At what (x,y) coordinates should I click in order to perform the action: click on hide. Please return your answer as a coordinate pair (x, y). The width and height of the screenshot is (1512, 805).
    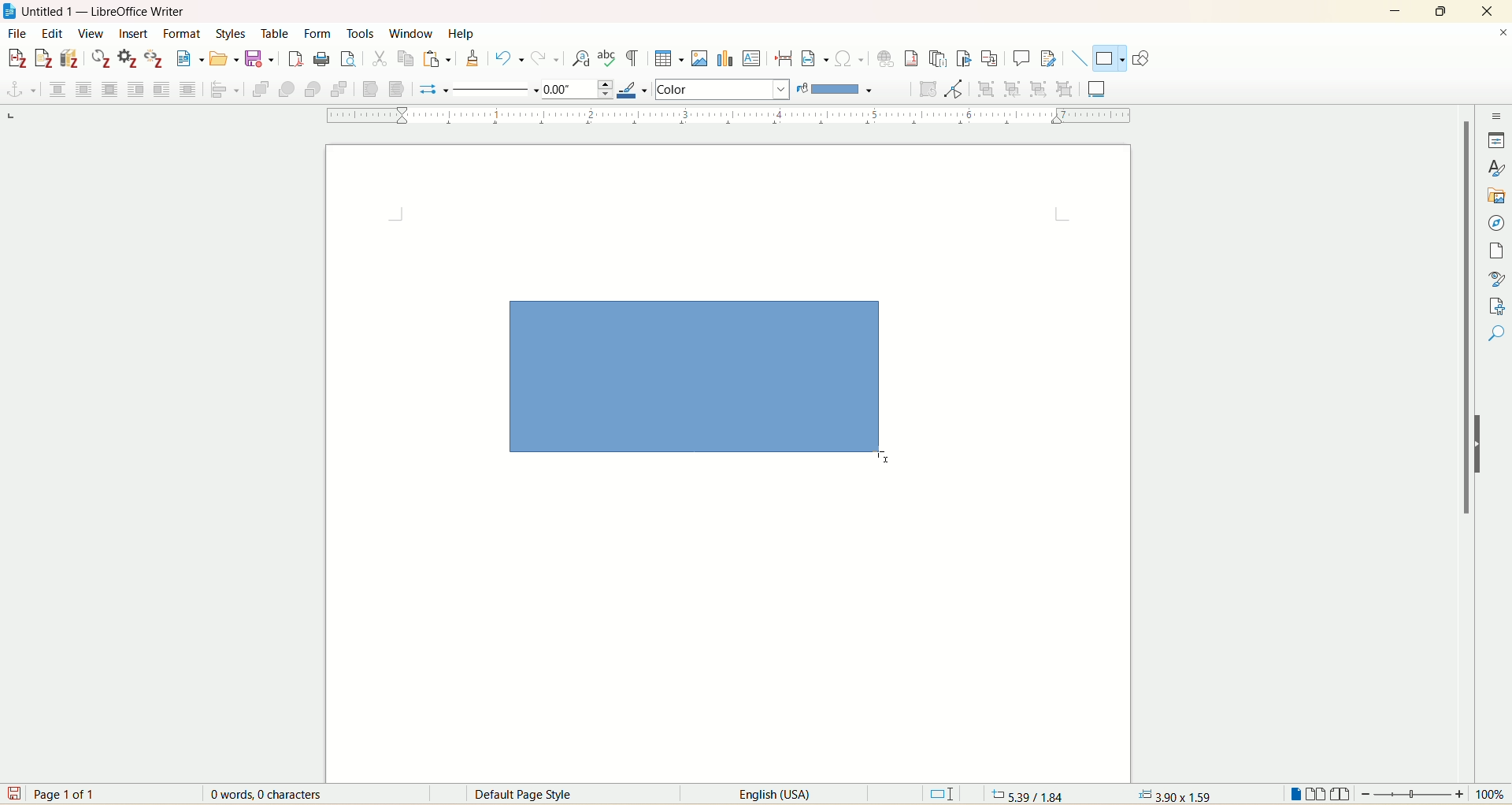
    Looking at the image, I should click on (1484, 443).